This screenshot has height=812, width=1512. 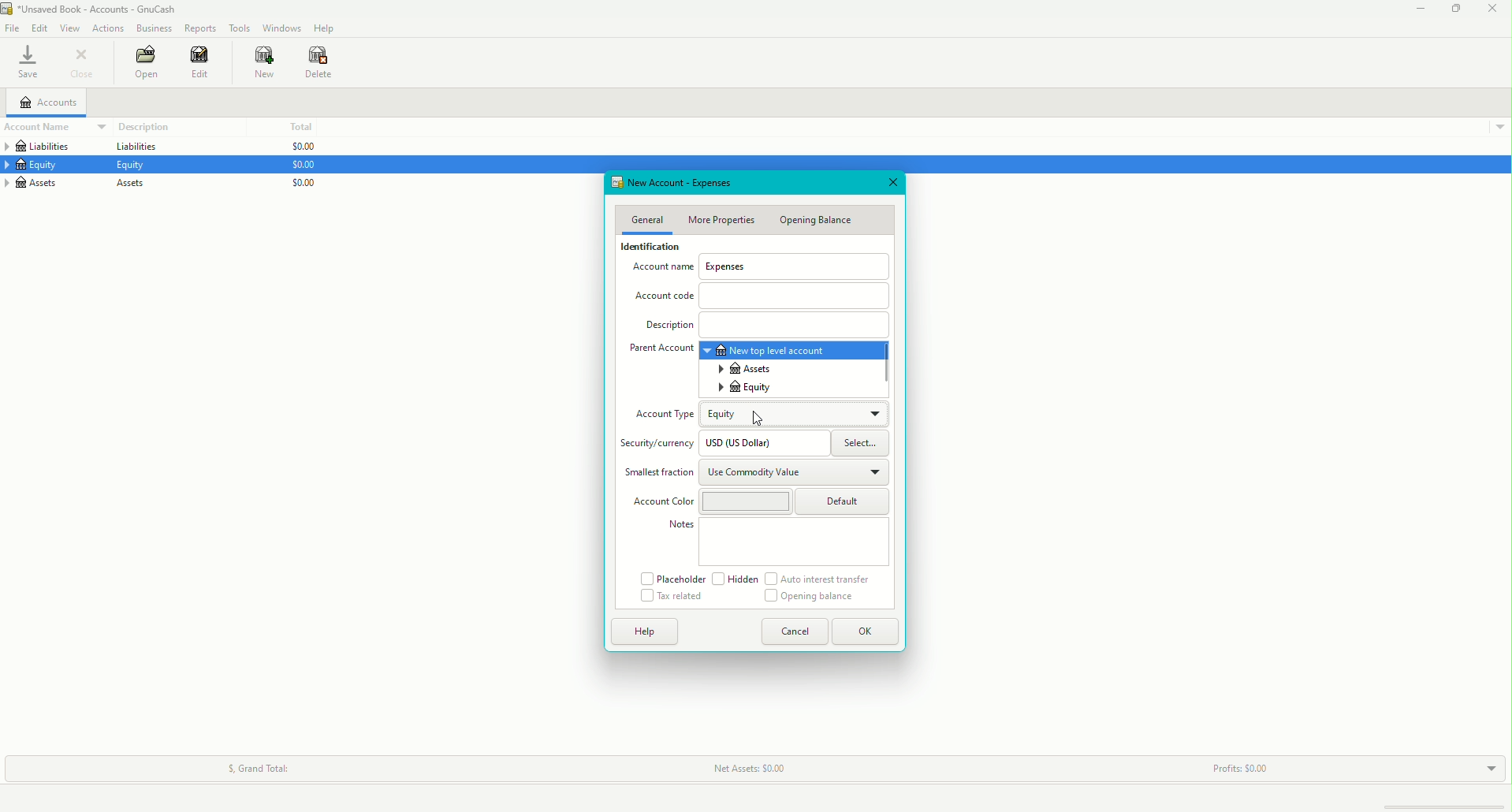 What do you see at coordinates (133, 166) in the screenshot?
I see `` at bounding box center [133, 166].